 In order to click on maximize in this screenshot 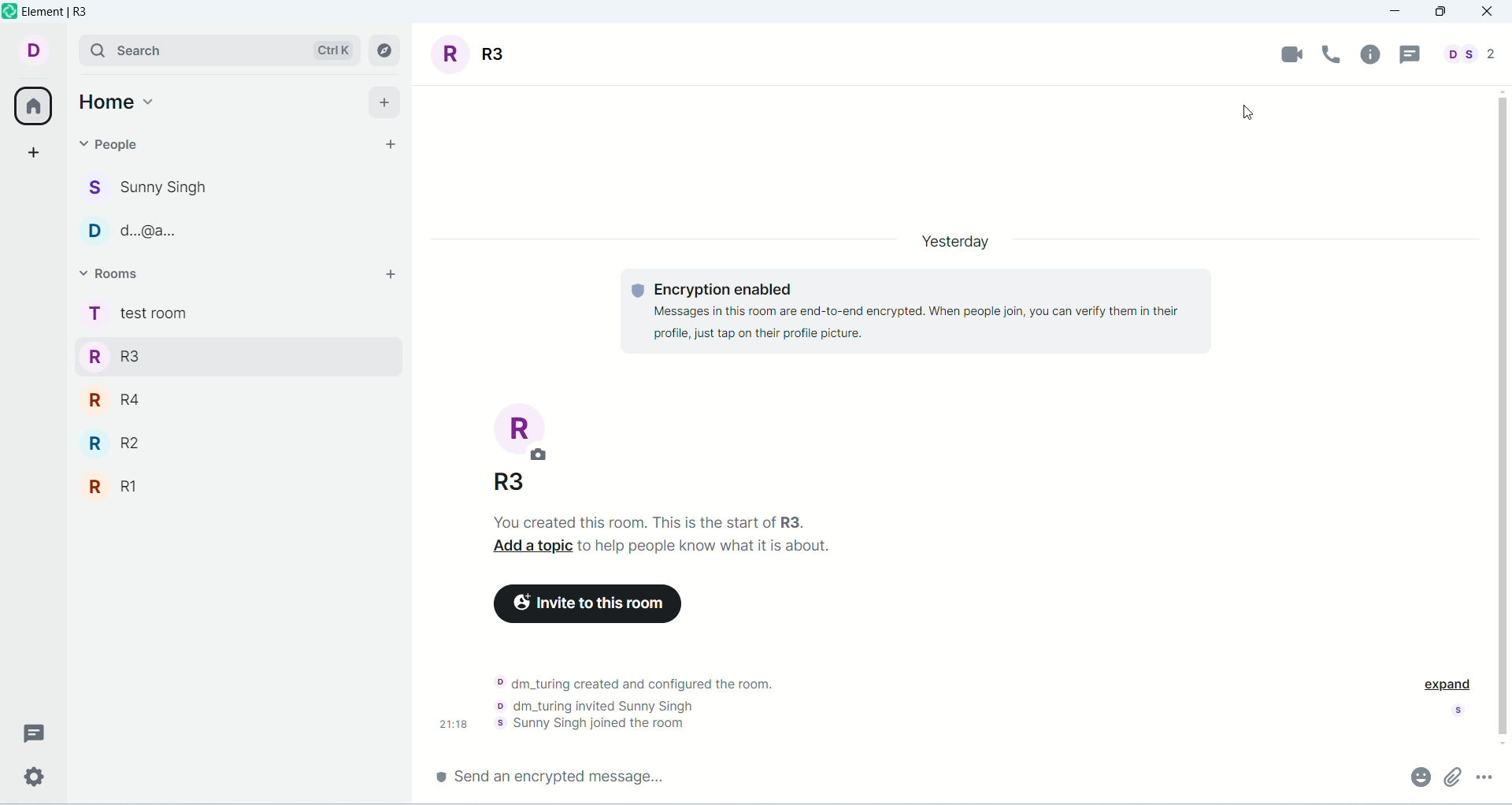, I will do `click(1440, 13)`.